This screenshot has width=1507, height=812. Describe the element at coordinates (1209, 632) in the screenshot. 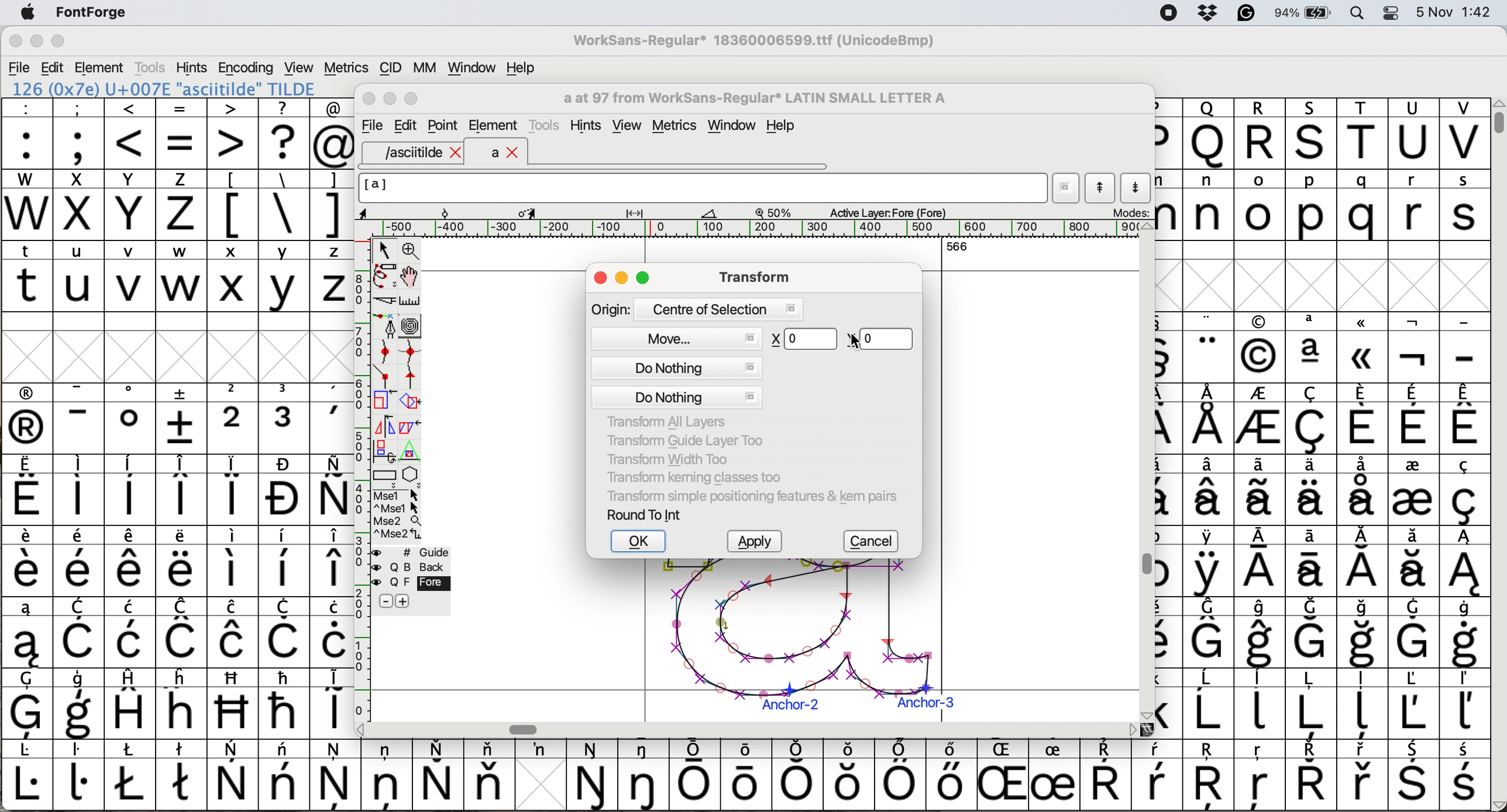

I see `symbol` at that location.